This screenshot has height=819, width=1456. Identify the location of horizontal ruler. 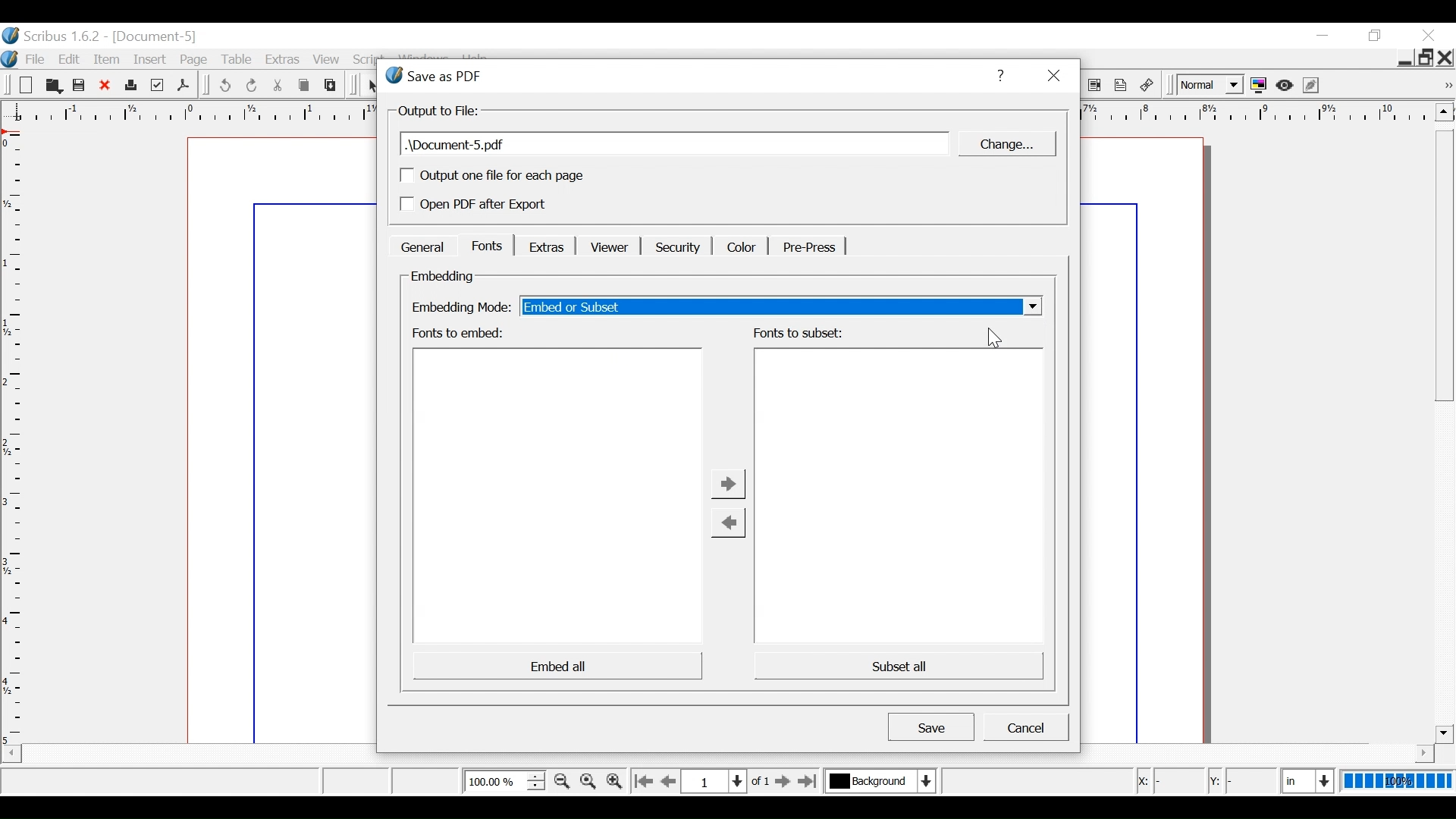
(1257, 114).